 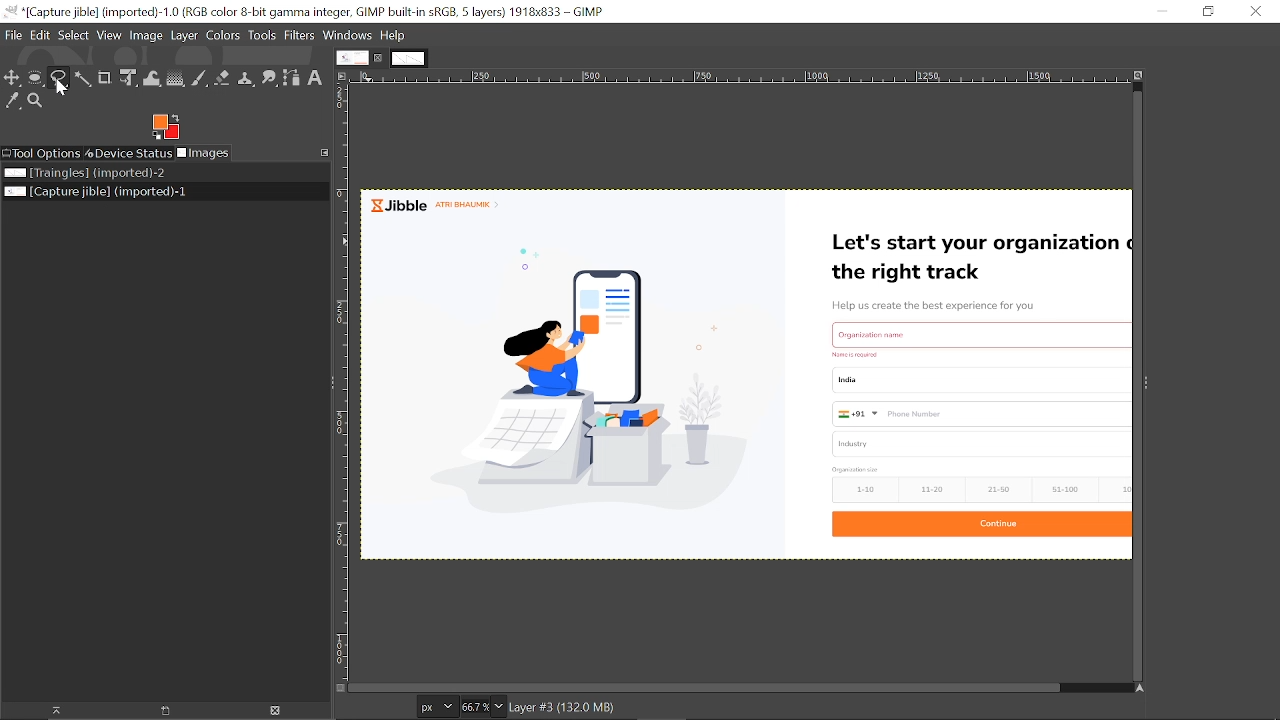 I want to click on Access the image menu, so click(x=344, y=77).